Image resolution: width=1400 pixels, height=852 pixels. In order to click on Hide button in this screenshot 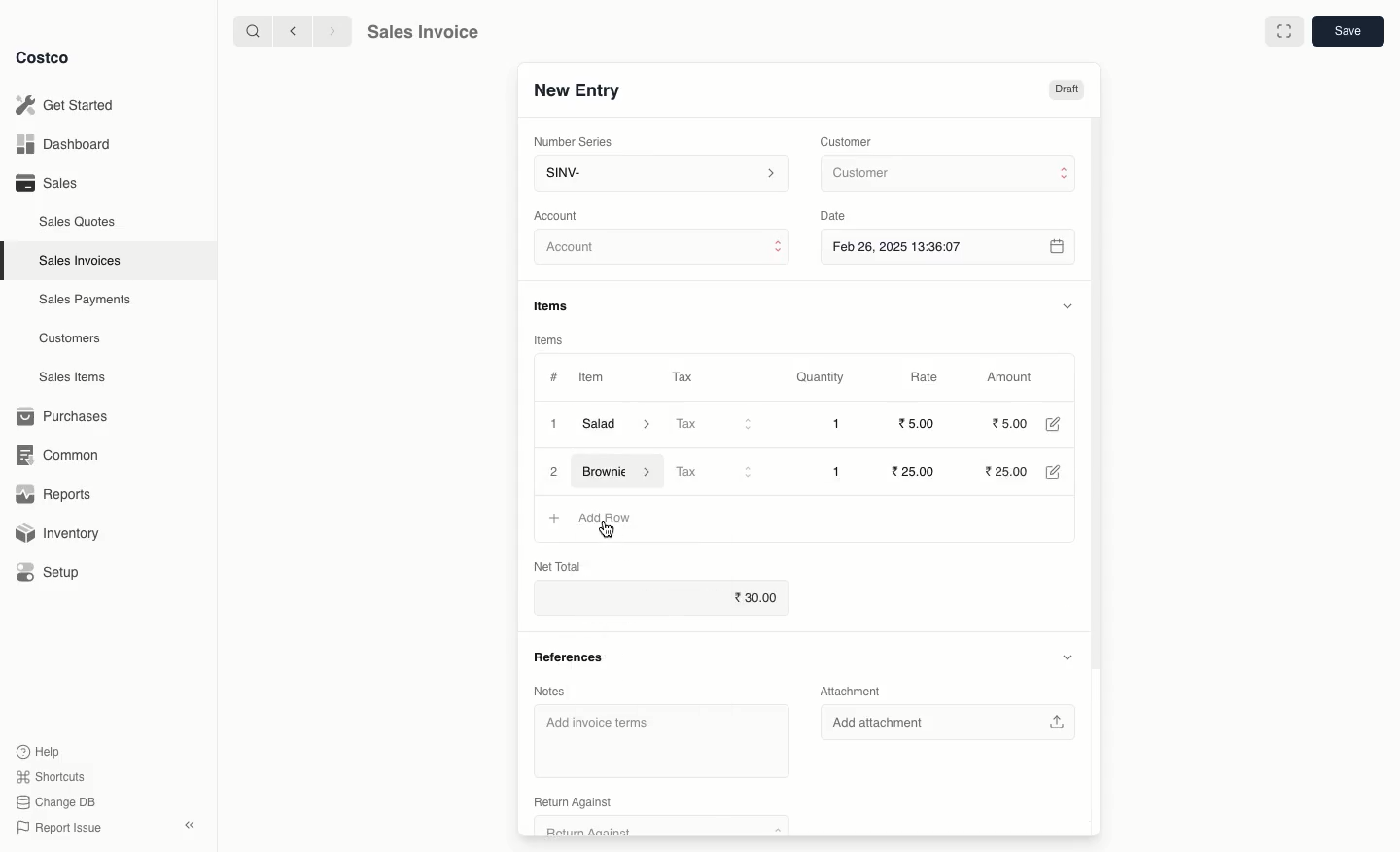, I will do `click(1066, 657)`.